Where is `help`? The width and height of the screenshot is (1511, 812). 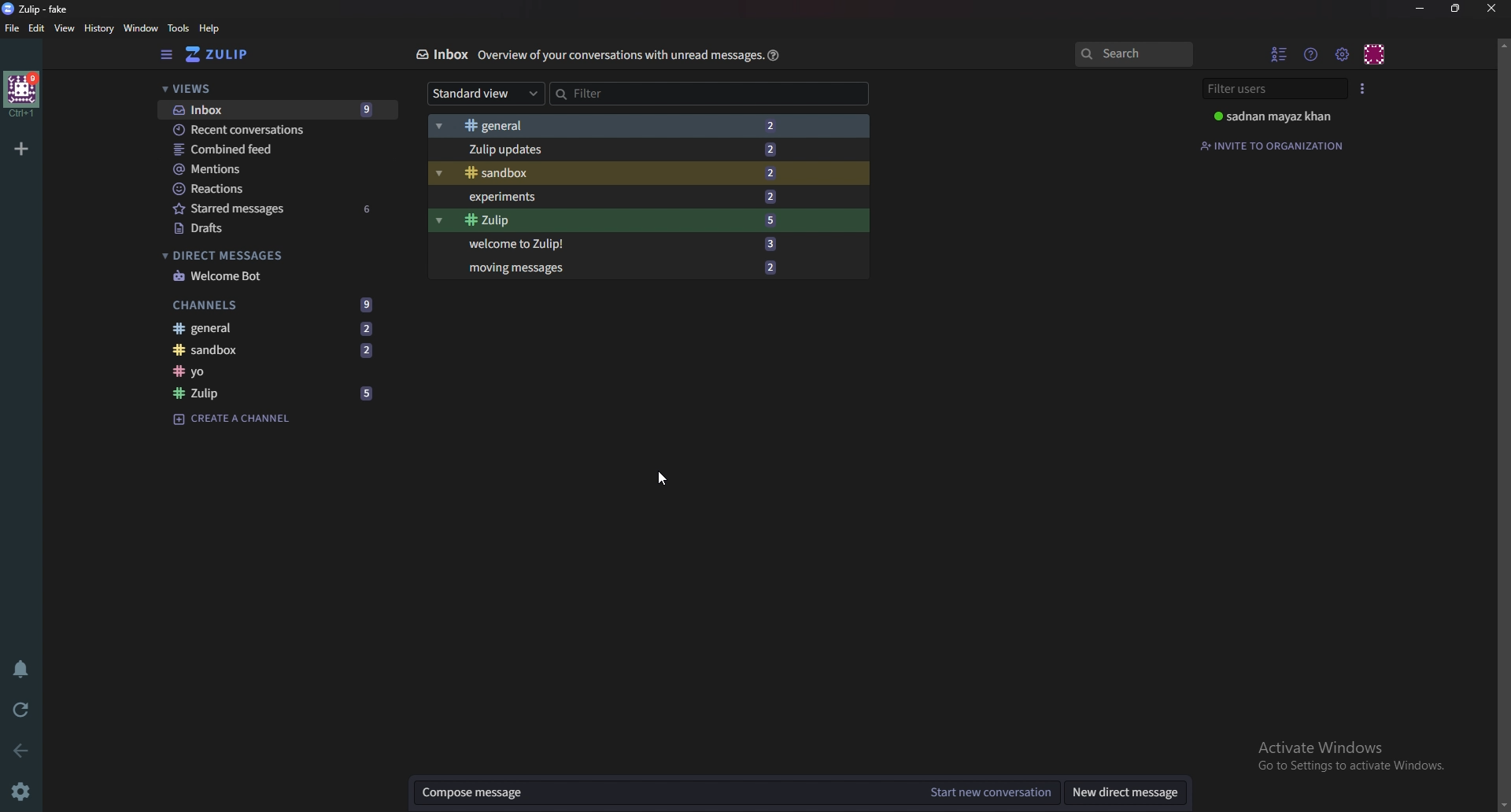
help is located at coordinates (774, 55).